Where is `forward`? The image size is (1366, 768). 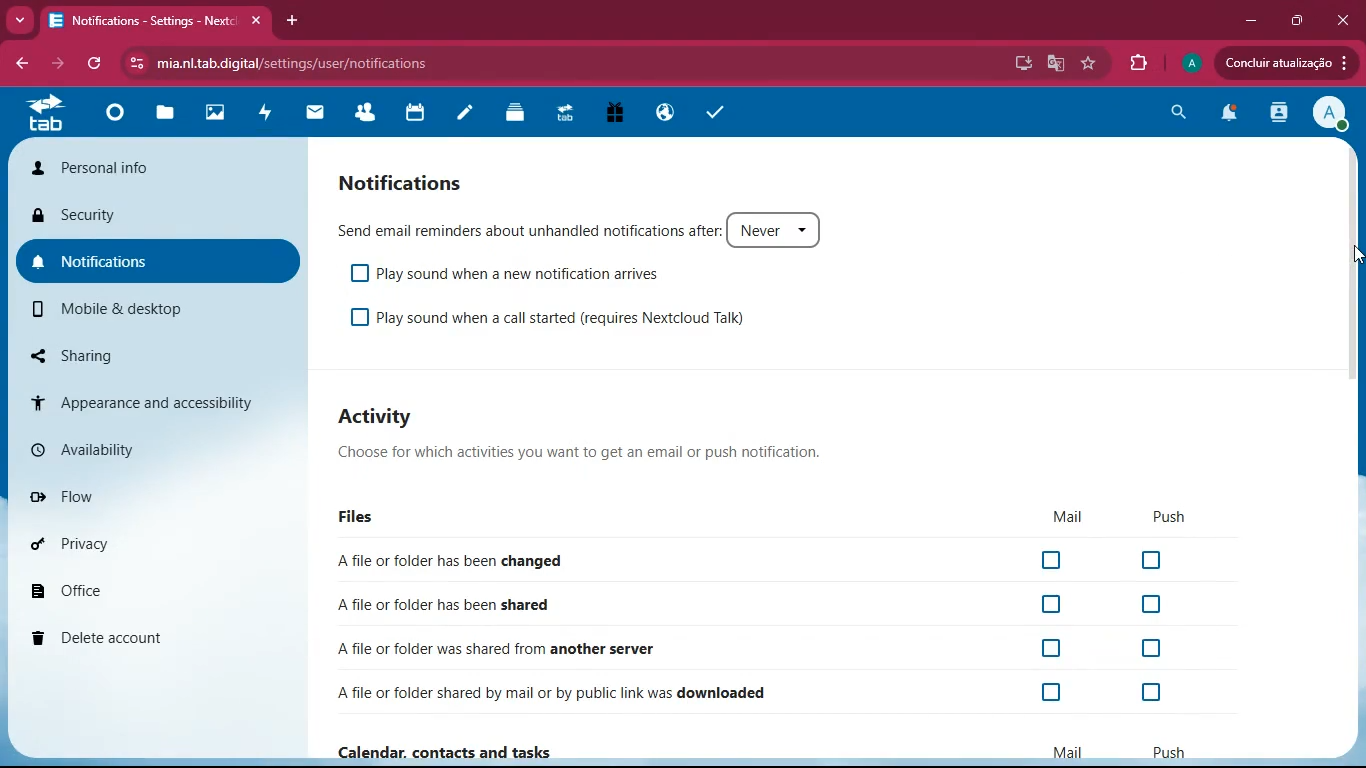 forward is located at coordinates (55, 62).